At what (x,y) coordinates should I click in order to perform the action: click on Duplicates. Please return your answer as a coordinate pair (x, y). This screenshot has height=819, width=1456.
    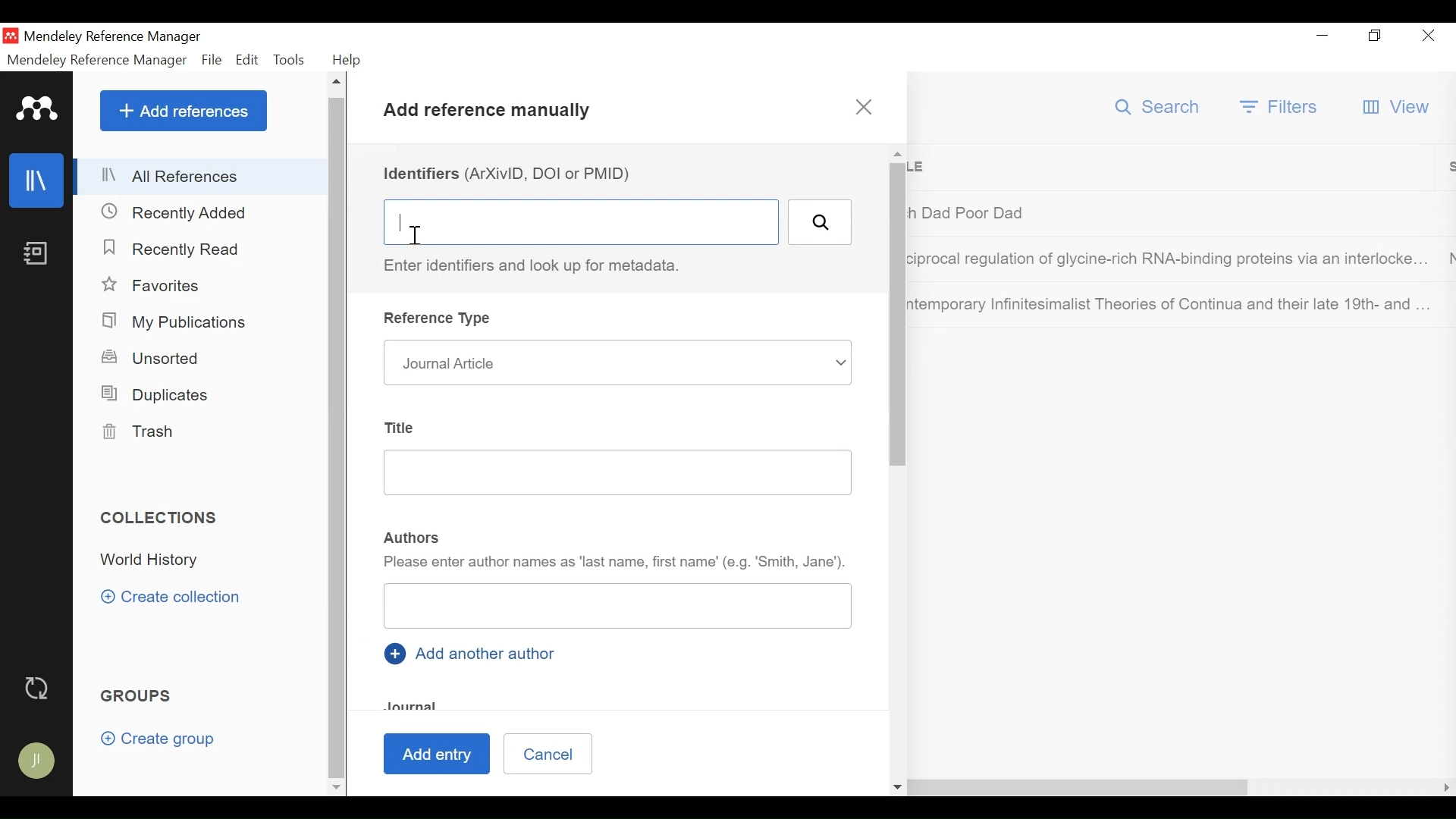
    Looking at the image, I should click on (158, 395).